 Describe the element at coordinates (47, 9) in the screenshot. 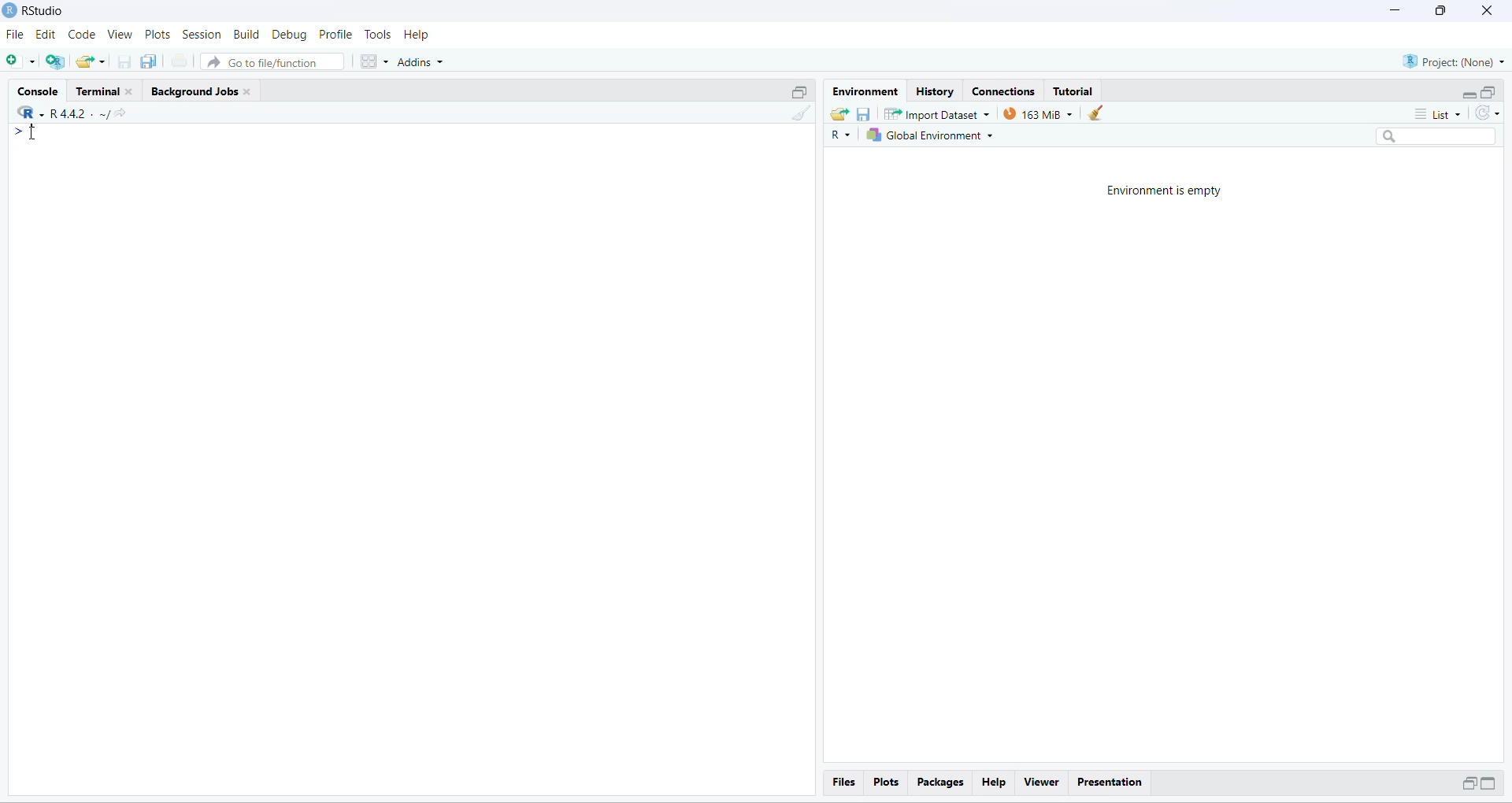

I see `RStudio` at that location.